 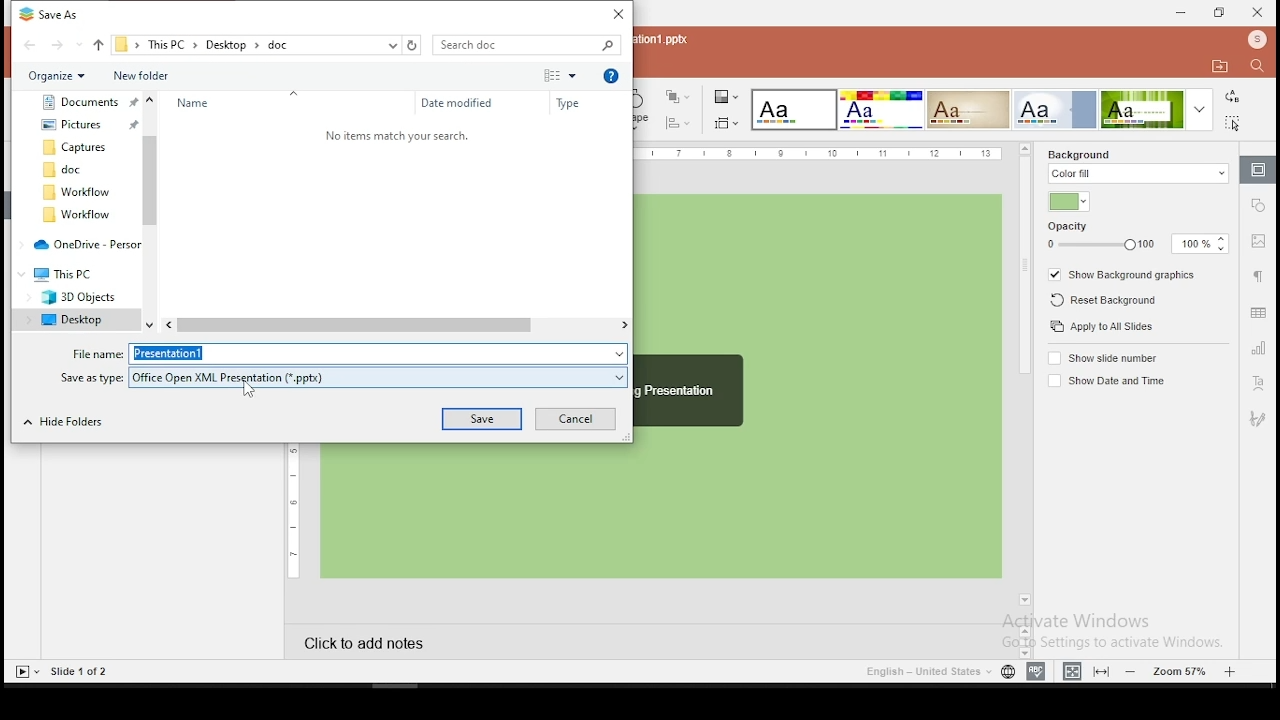 What do you see at coordinates (1233, 96) in the screenshot?
I see `replace` at bounding box center [1233, 96].